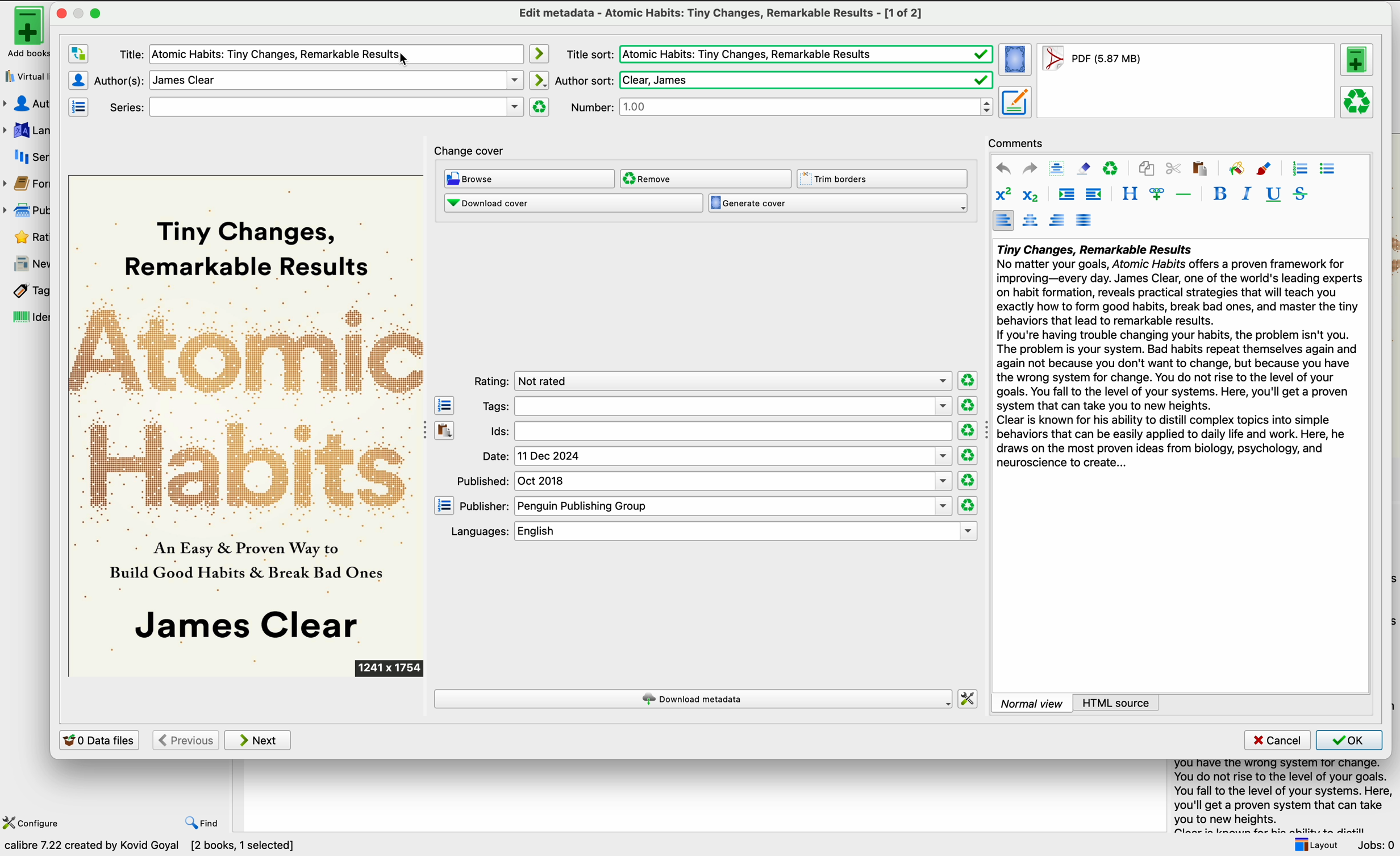 This screenshot has width=1400, height=856. I want to click on copy, so click(1148, 167).